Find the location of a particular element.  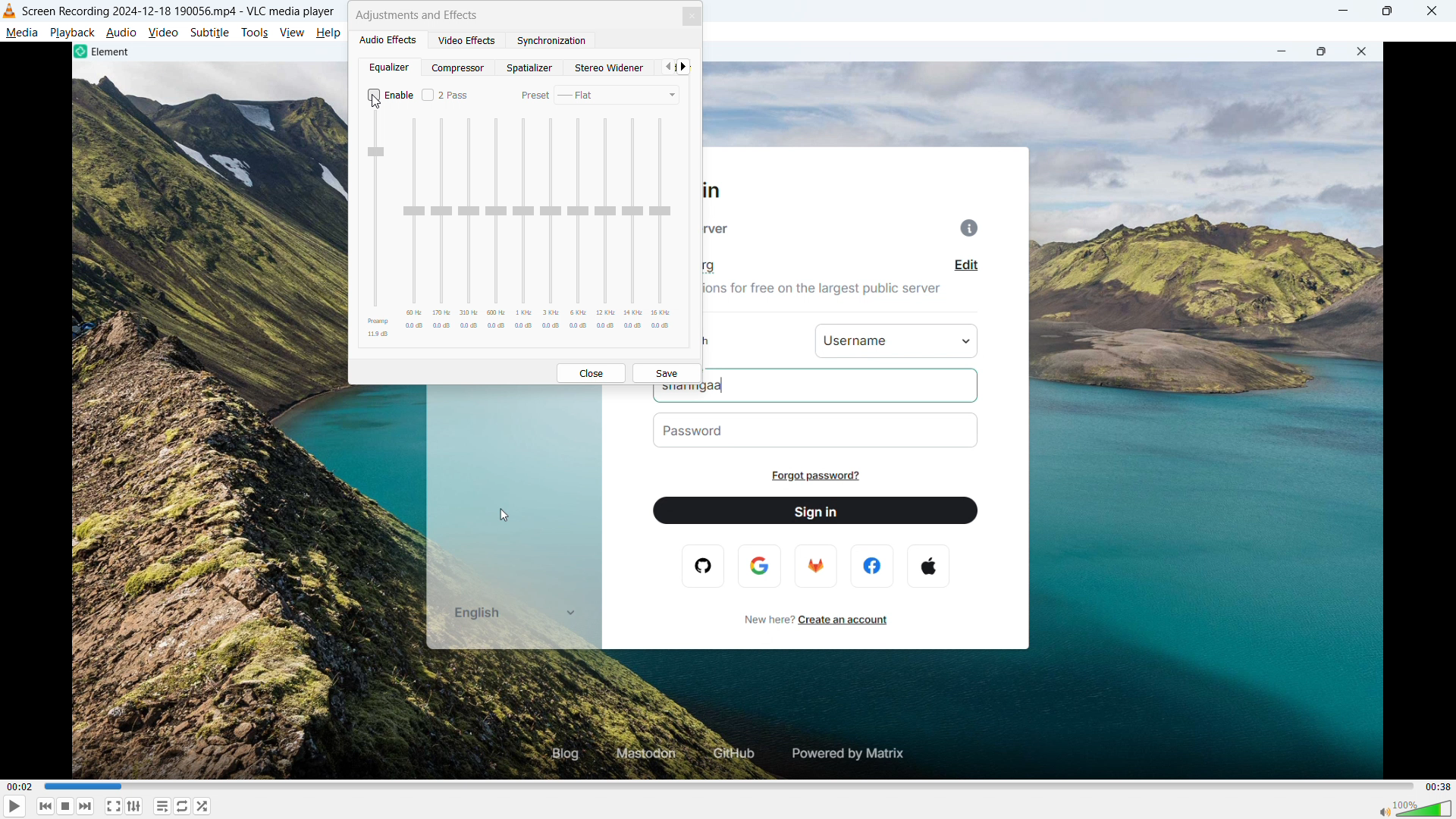

Audio effects is located at coordinates (390, 39).